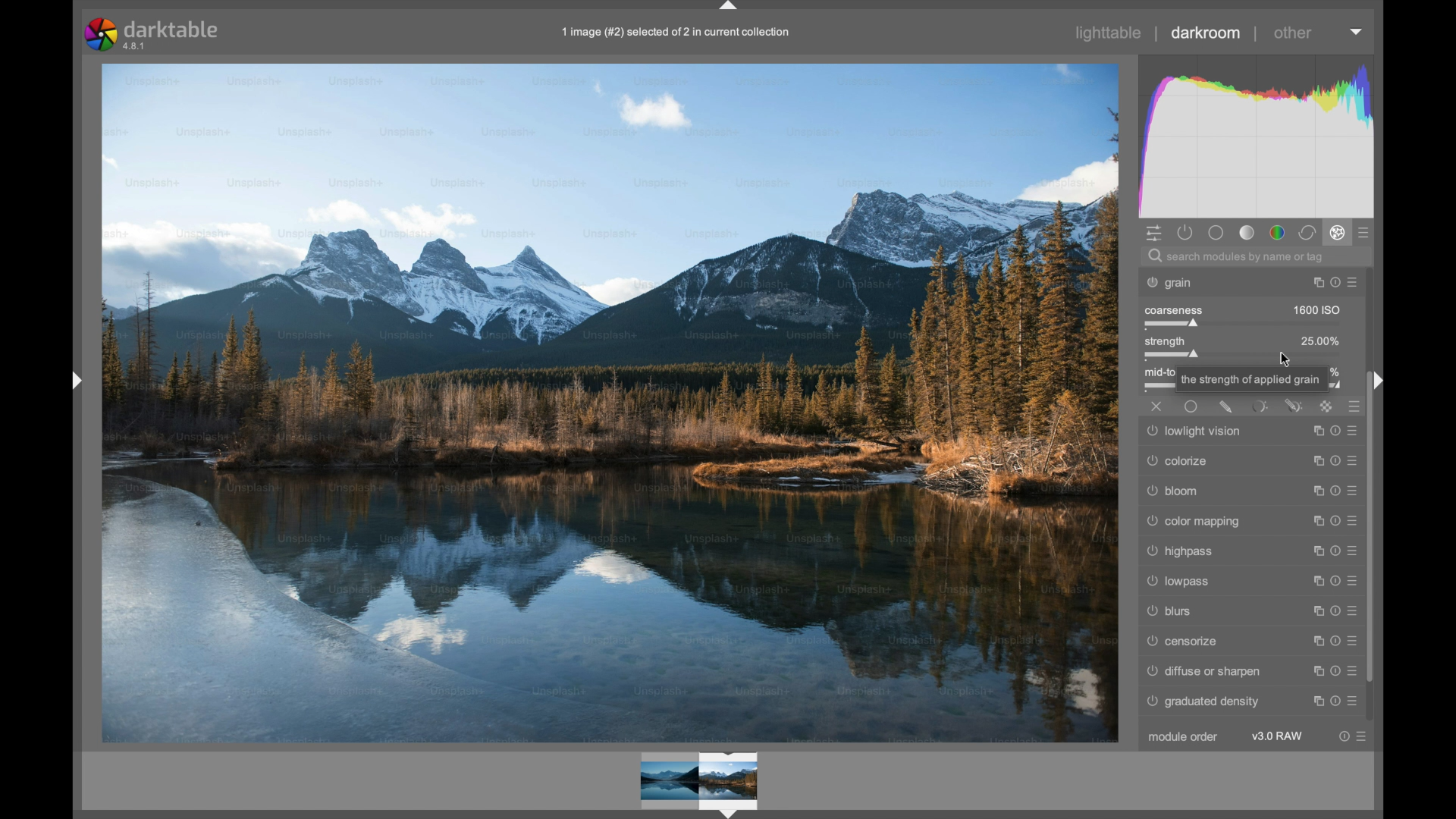 This screenshot has width=1456, height=819. What do you see at coordinates (1308, 233) in the screenshot?
I see `correct` at bounding box center [1308, 233].